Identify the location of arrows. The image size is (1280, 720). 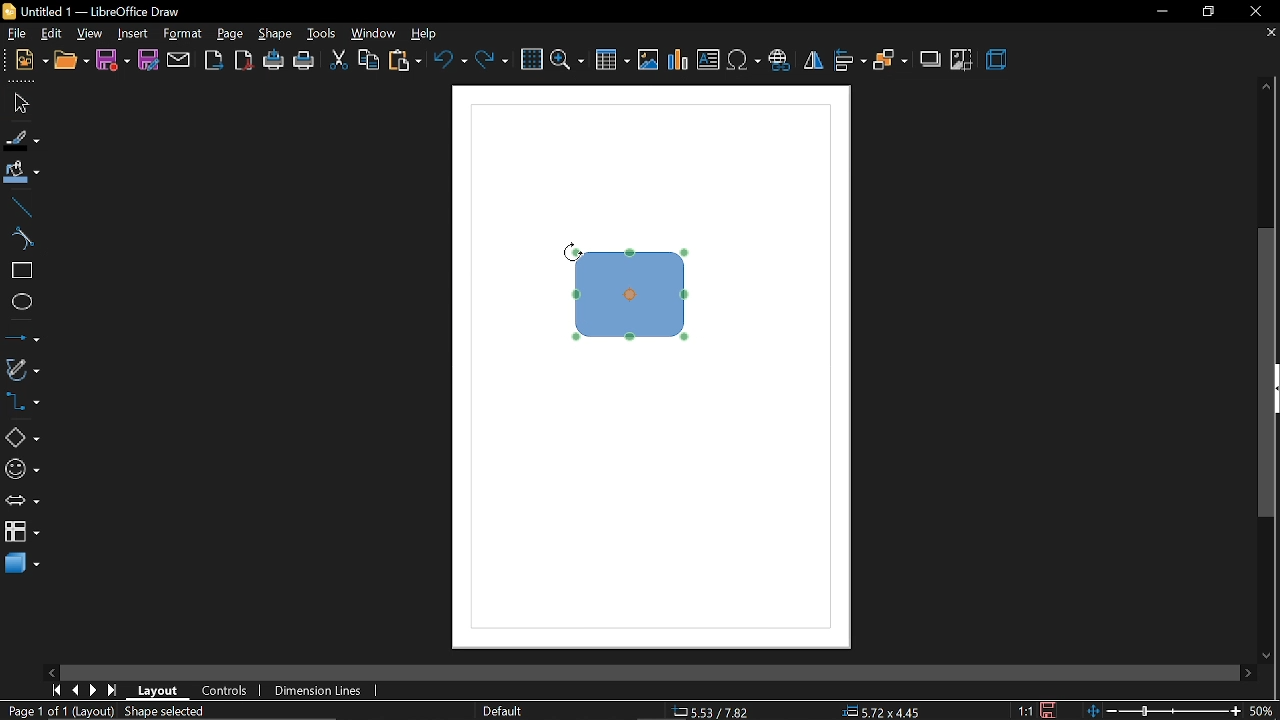
(21, 500).